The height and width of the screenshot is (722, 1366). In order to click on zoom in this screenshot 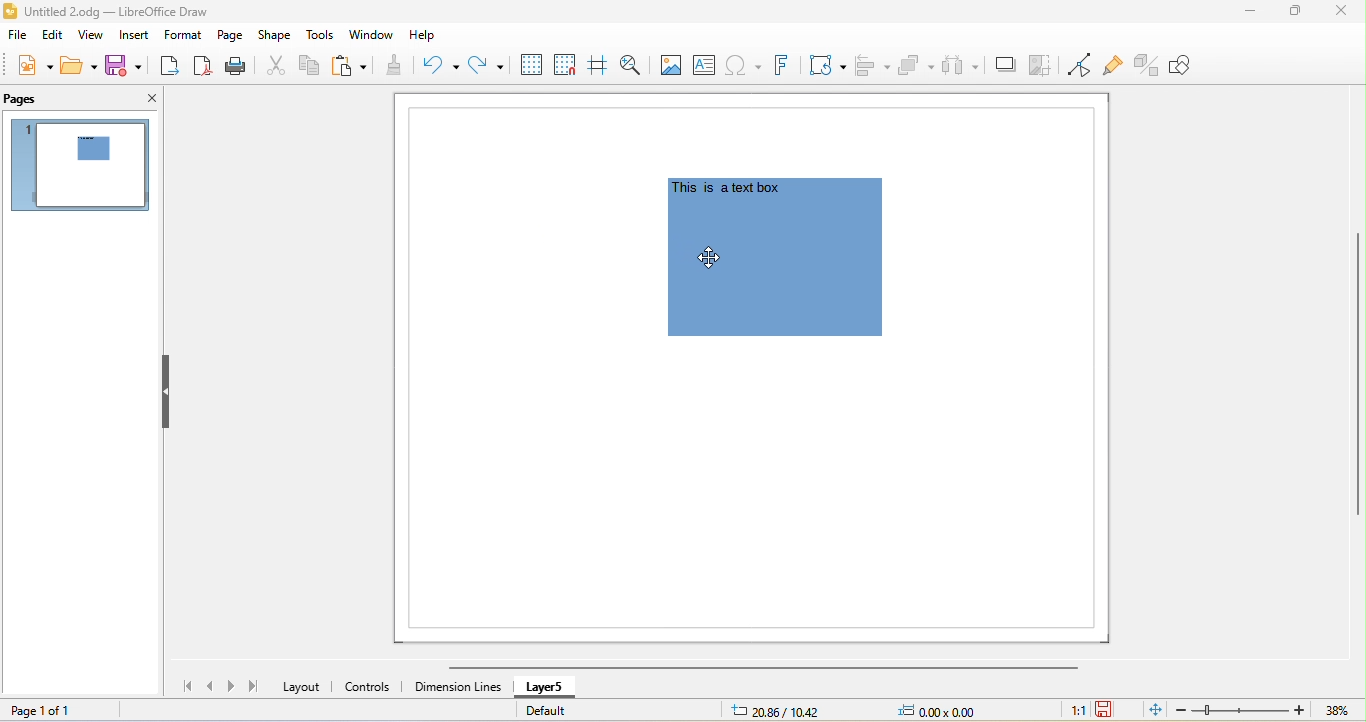, I will do `click(1240, 710)`.